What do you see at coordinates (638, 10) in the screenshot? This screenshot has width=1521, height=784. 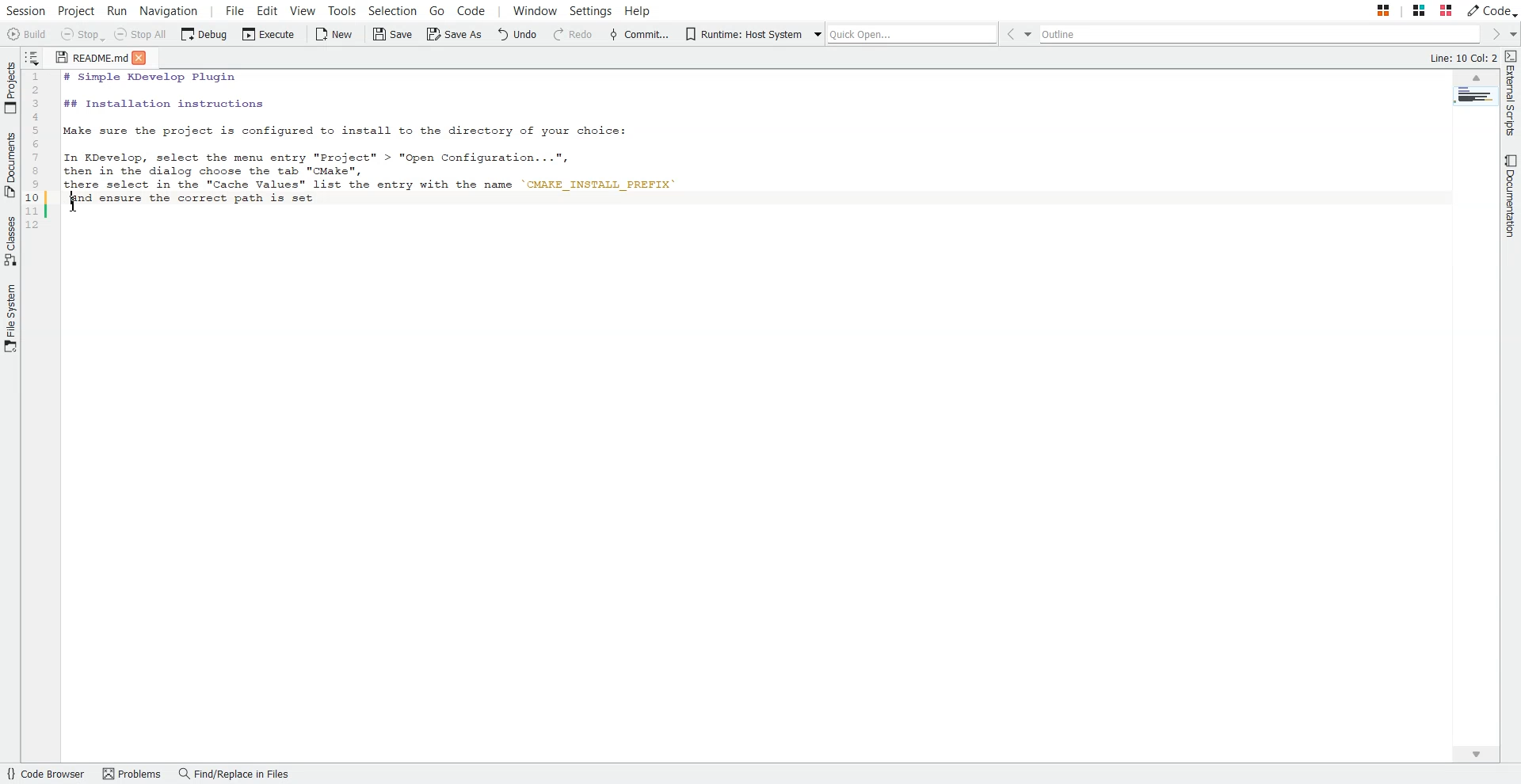 I see `Help` at bounding box center [638, 10].